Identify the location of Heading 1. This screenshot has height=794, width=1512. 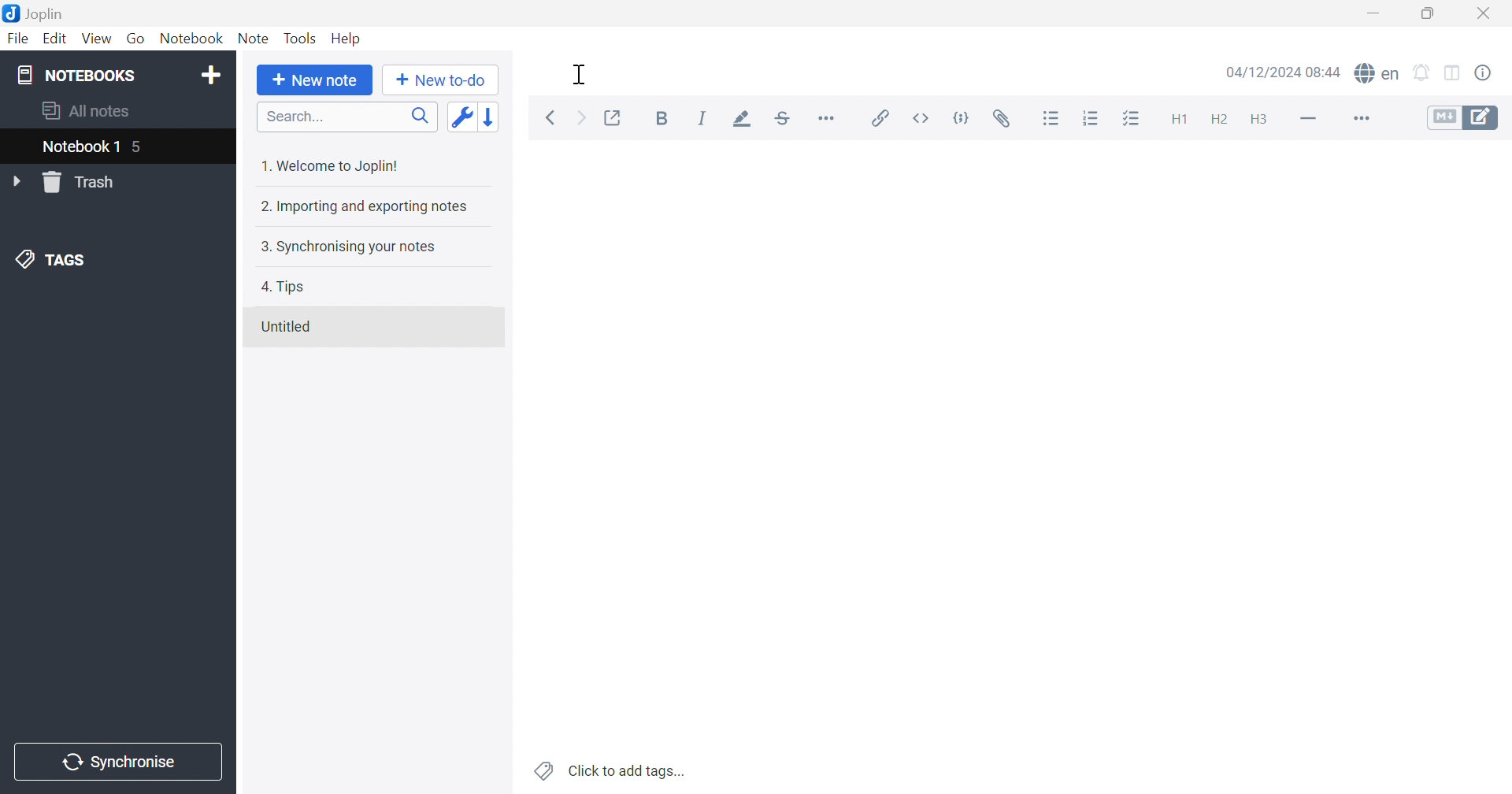
(1178, 118).